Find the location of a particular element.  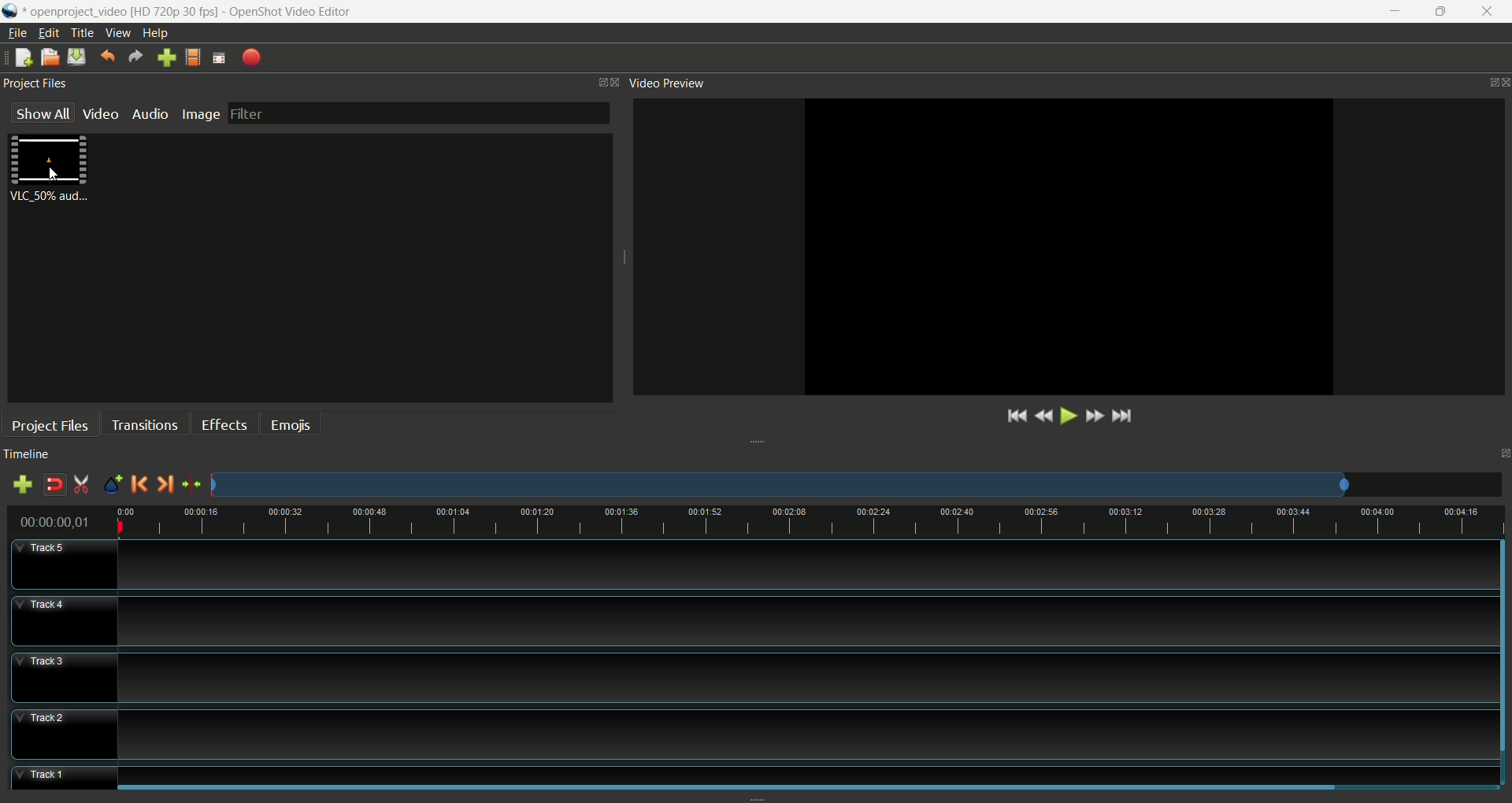

video is located at coordinates (100, 117).